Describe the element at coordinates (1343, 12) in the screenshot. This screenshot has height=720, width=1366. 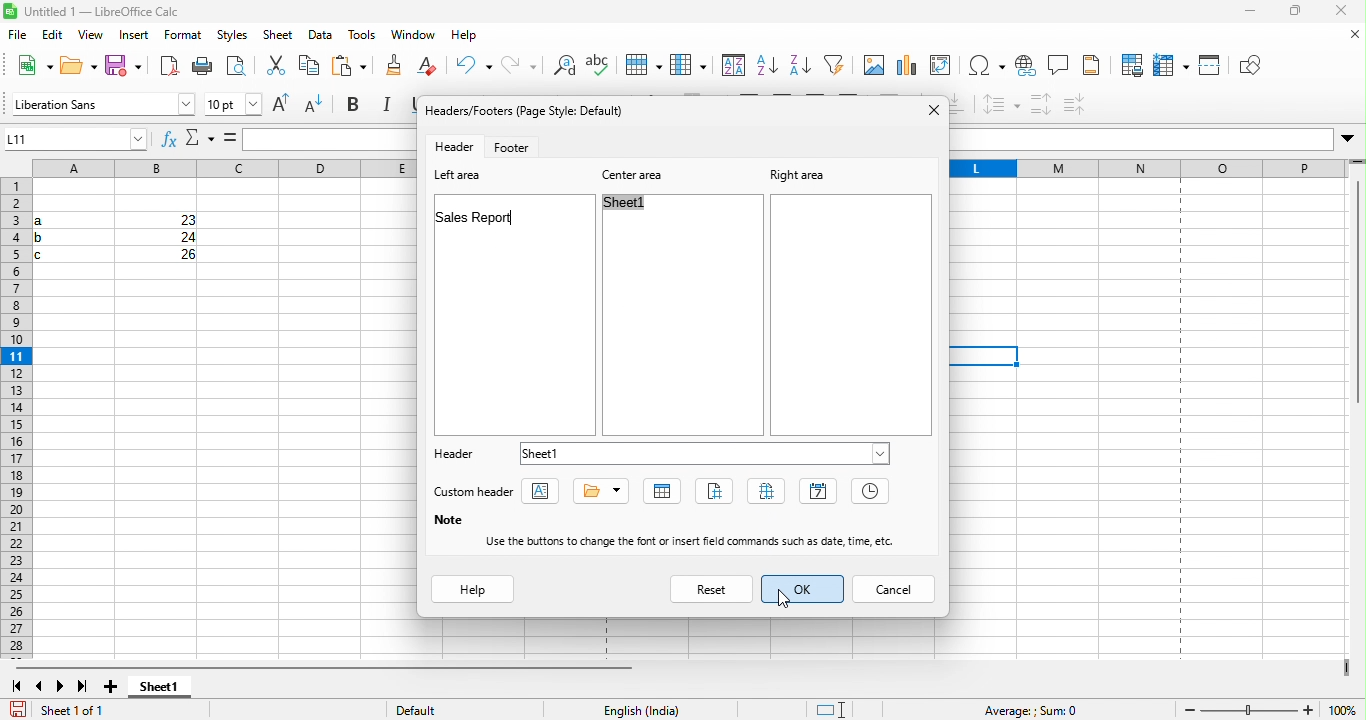
I see `close` at that location.